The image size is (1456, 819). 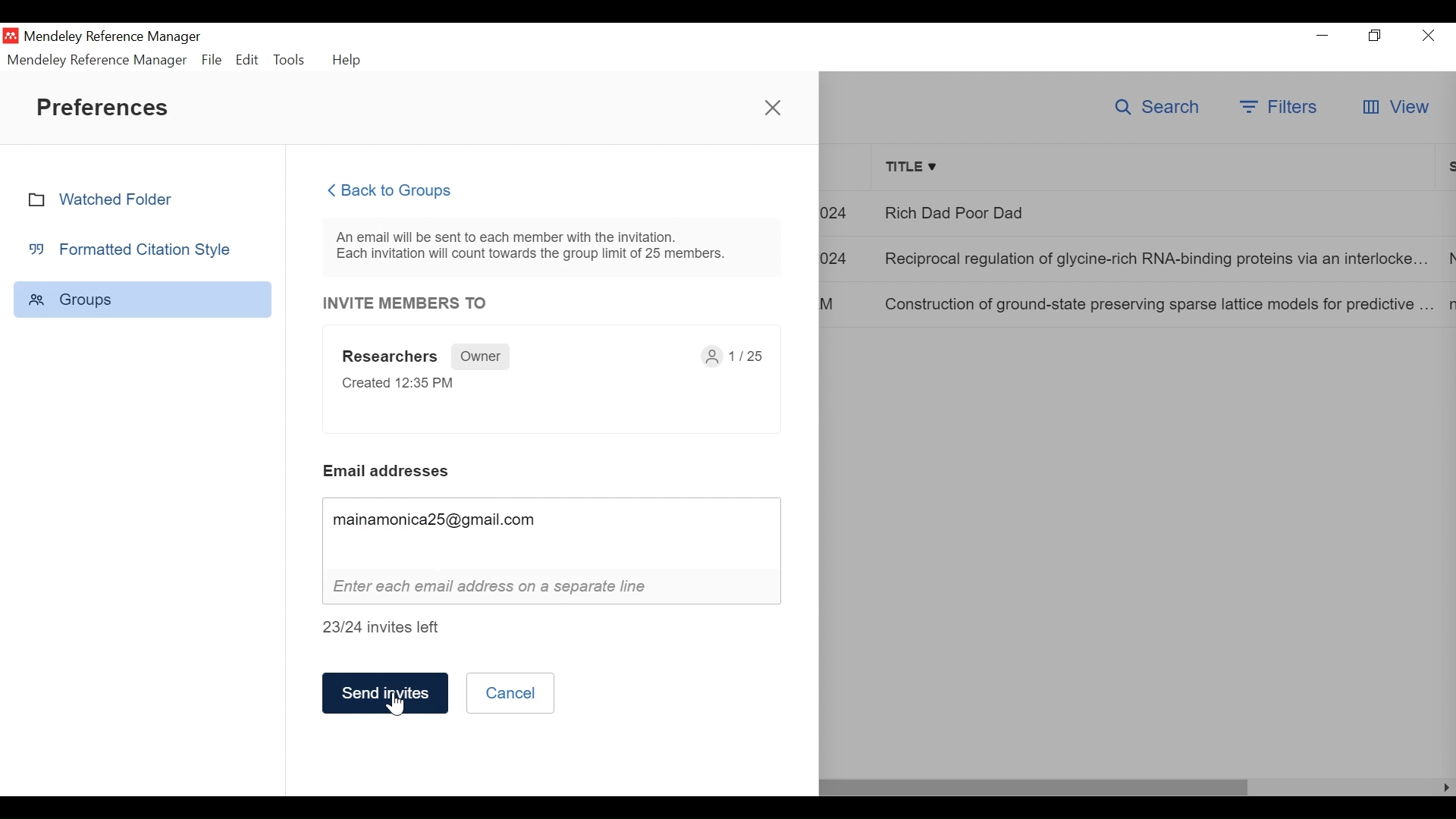 I want to click on Cancel, so click(x=507, y=693).